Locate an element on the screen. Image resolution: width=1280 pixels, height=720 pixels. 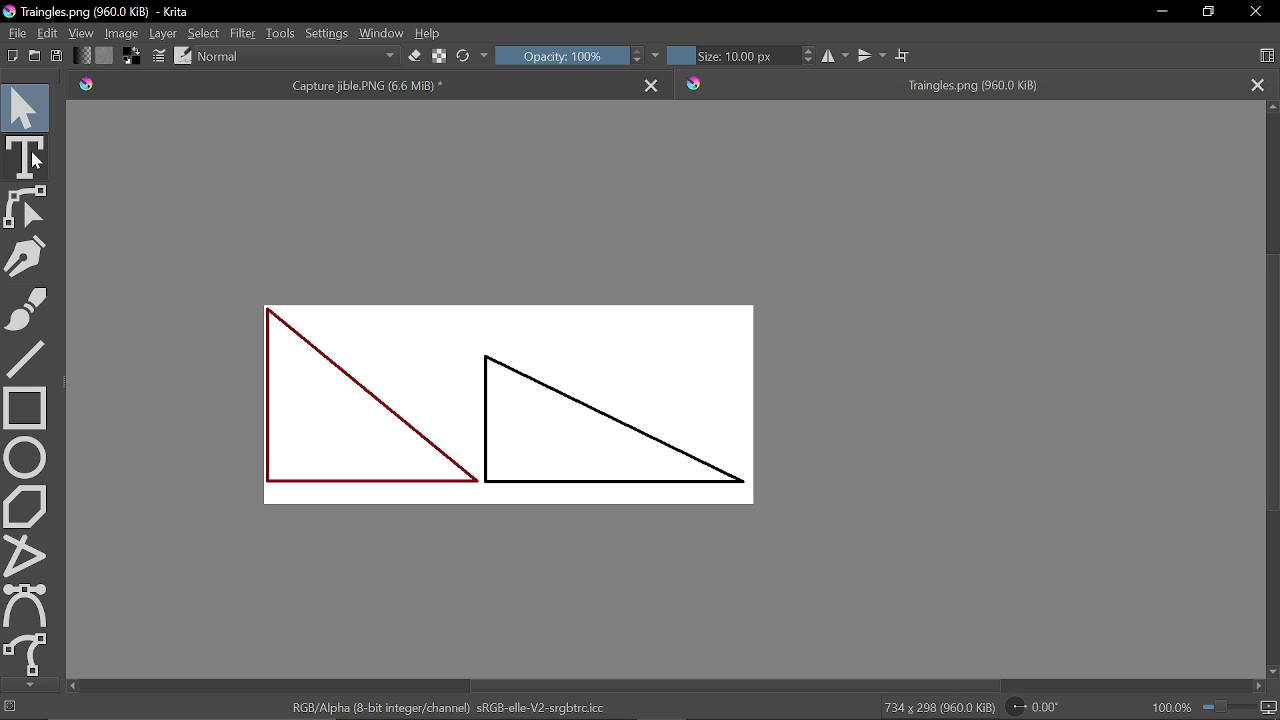
Select is located at coordinates (204, 32).